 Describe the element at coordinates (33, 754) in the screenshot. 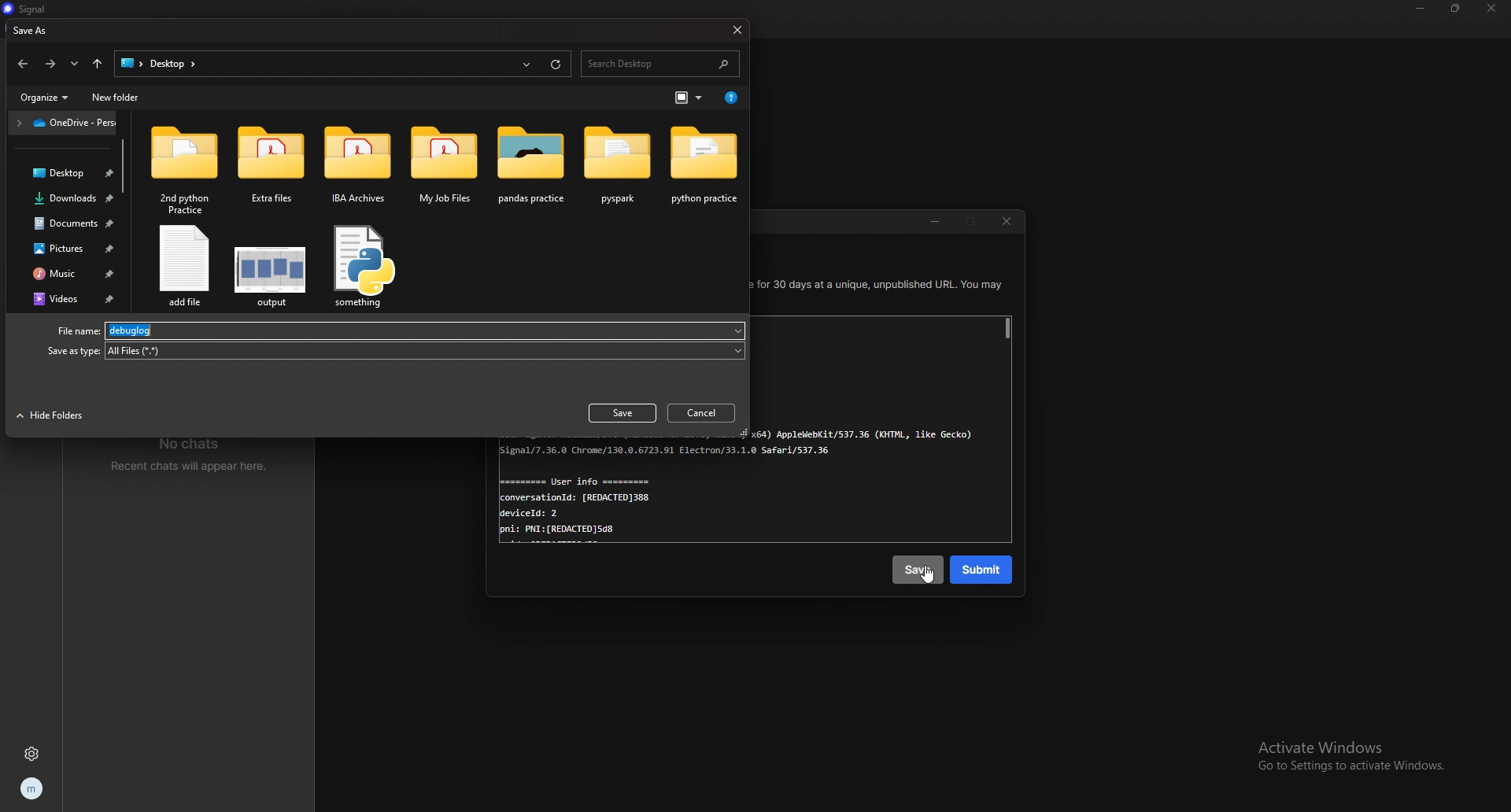

I see `settings` at that location.